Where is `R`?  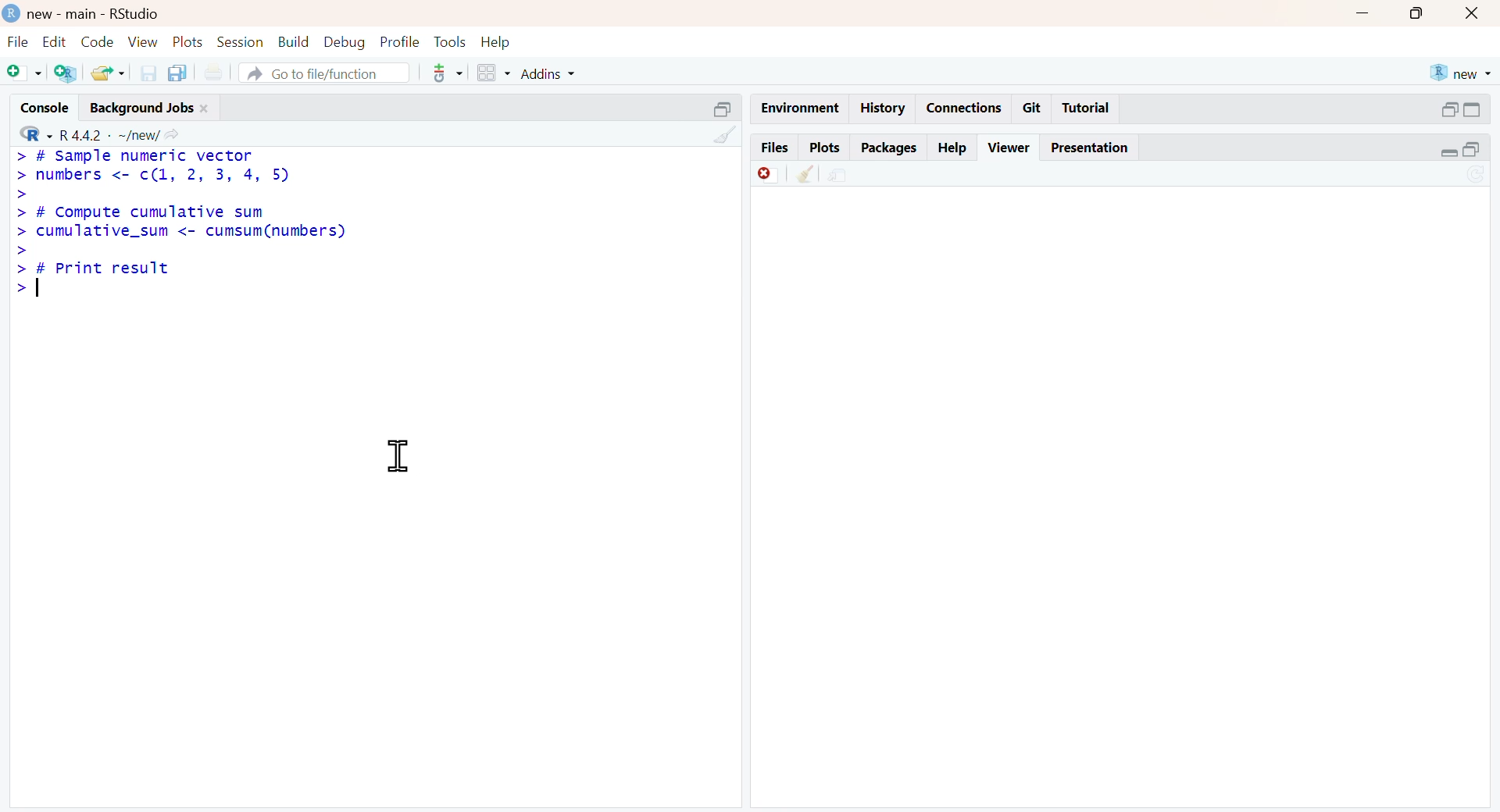
R is located at coordinates (37, 133).